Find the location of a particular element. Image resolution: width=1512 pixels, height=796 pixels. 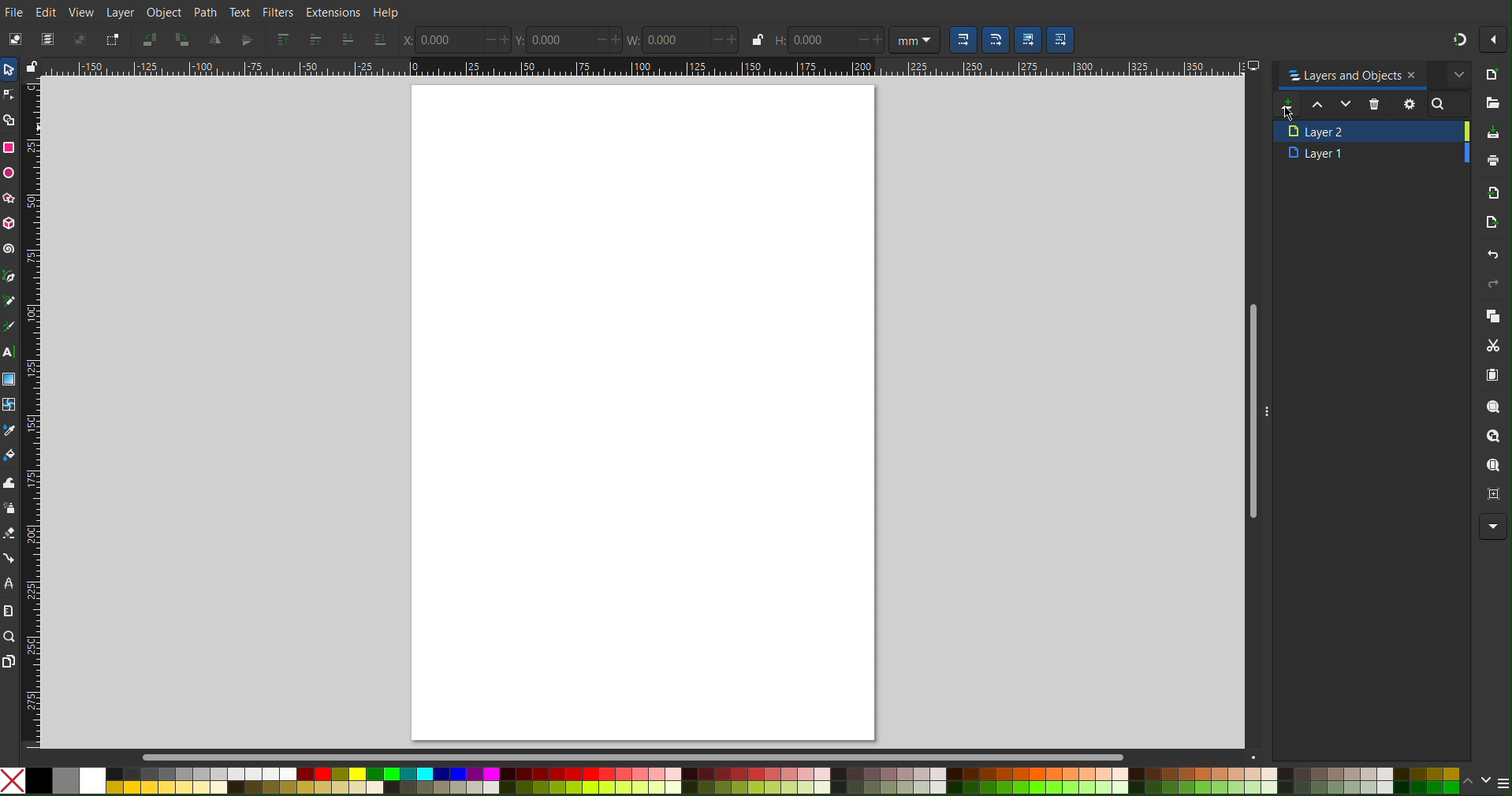

Open is located at coordinates (1492, 105).